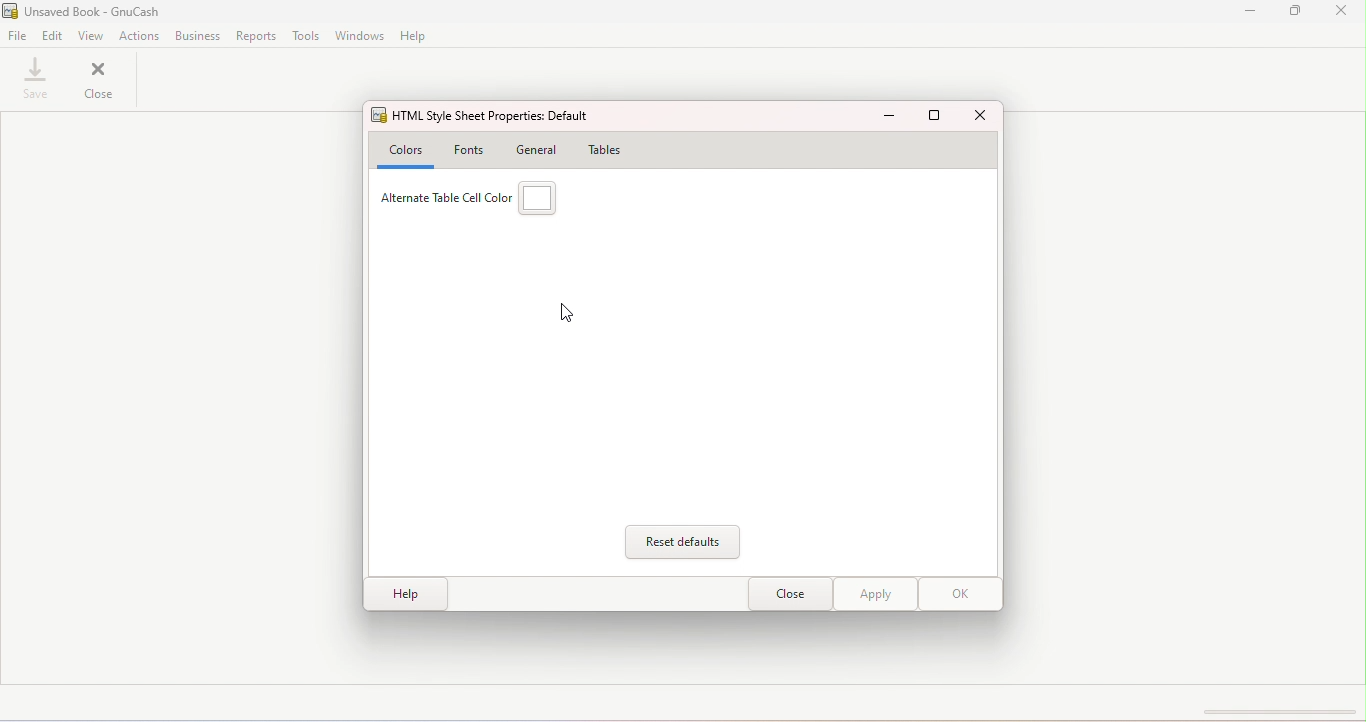  What do you see at coordinates (473, 152) in the screenshot?
I see `Fonts` at bounding box center [473, 152].